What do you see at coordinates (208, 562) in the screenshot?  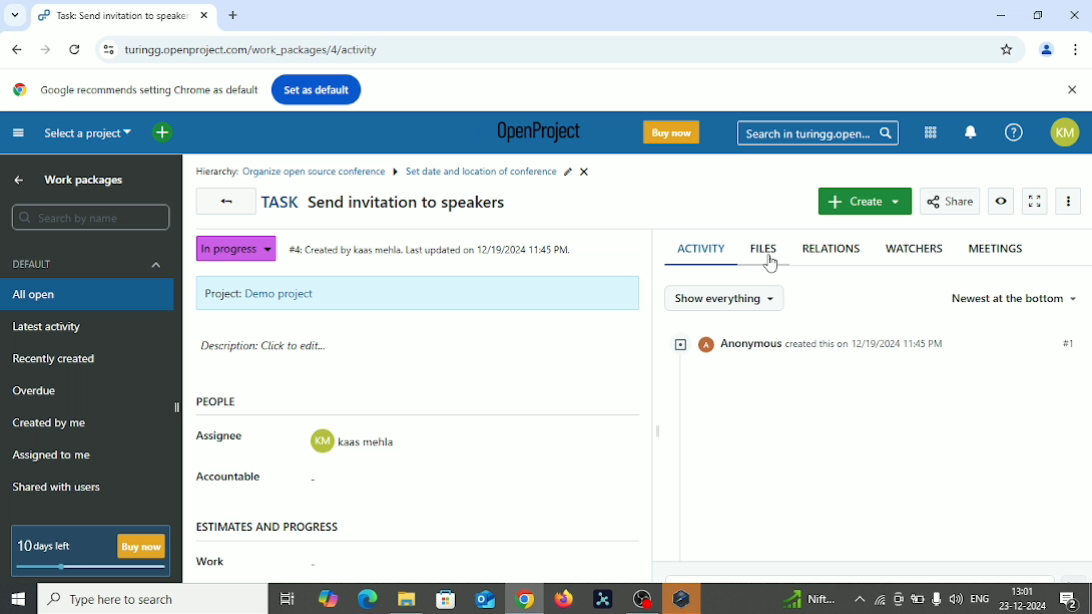 I see `Work` at bounding box center [208, 562].